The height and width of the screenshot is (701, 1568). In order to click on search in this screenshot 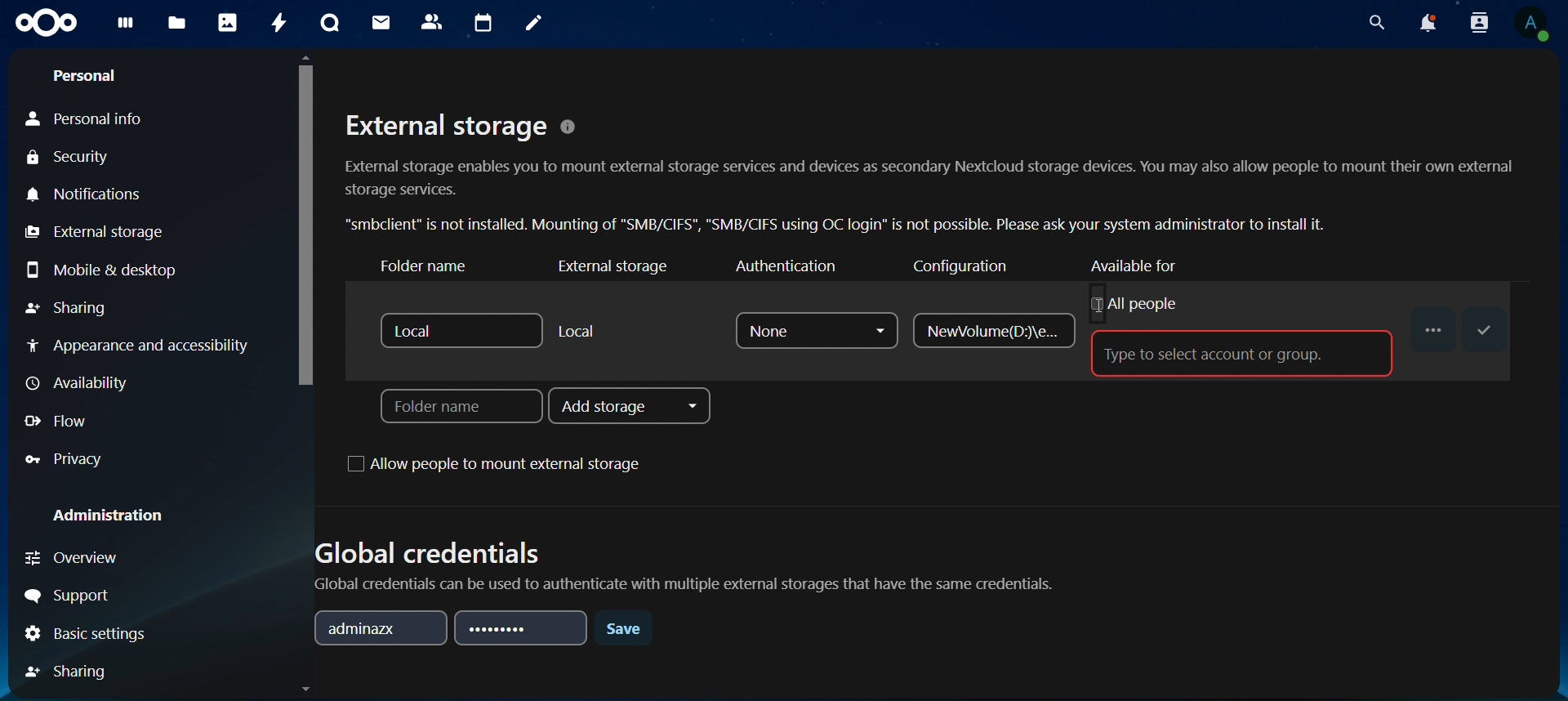, I will do `click(1375, 23)`.